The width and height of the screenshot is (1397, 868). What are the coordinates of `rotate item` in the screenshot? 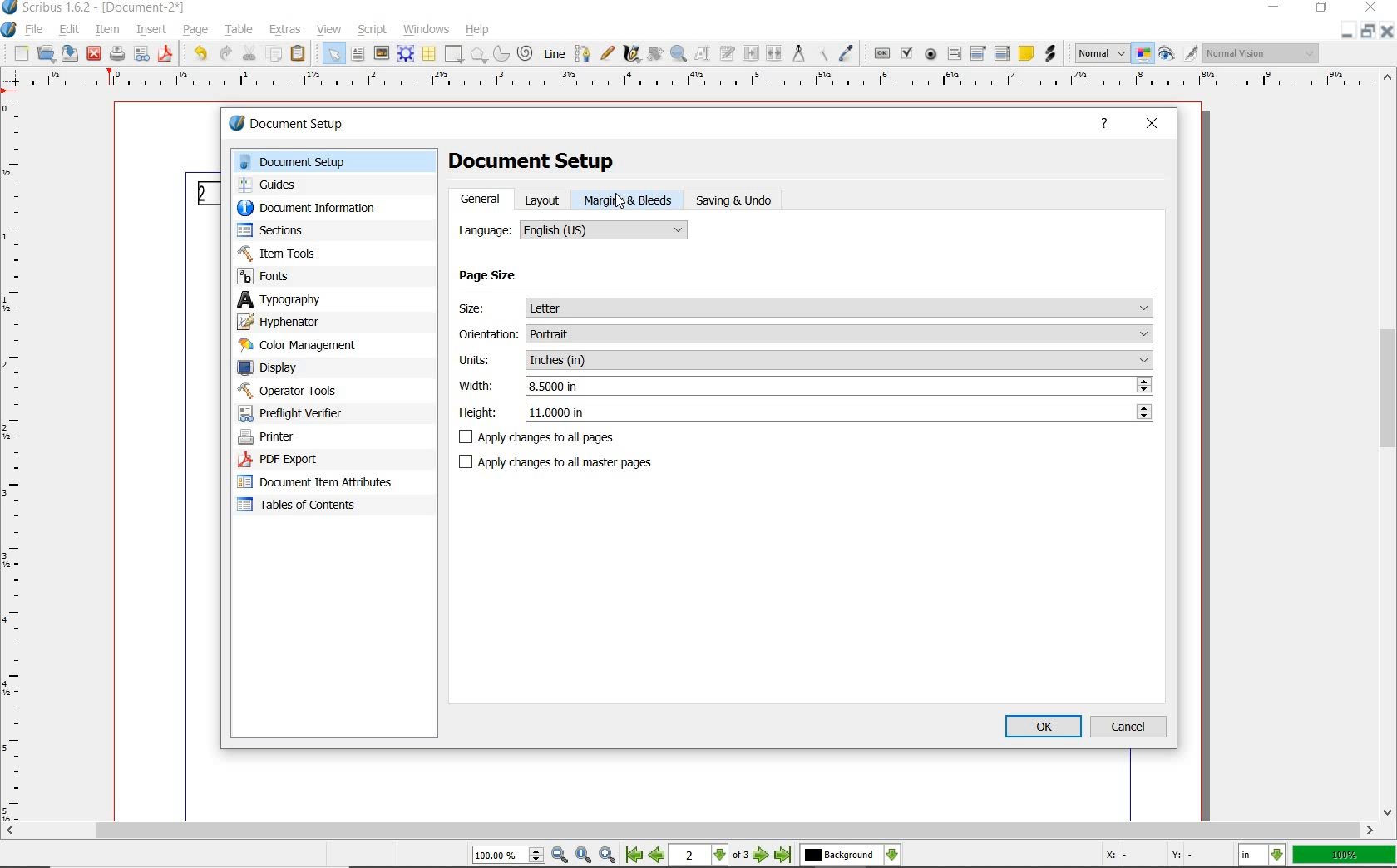 It's located at (654, 53).